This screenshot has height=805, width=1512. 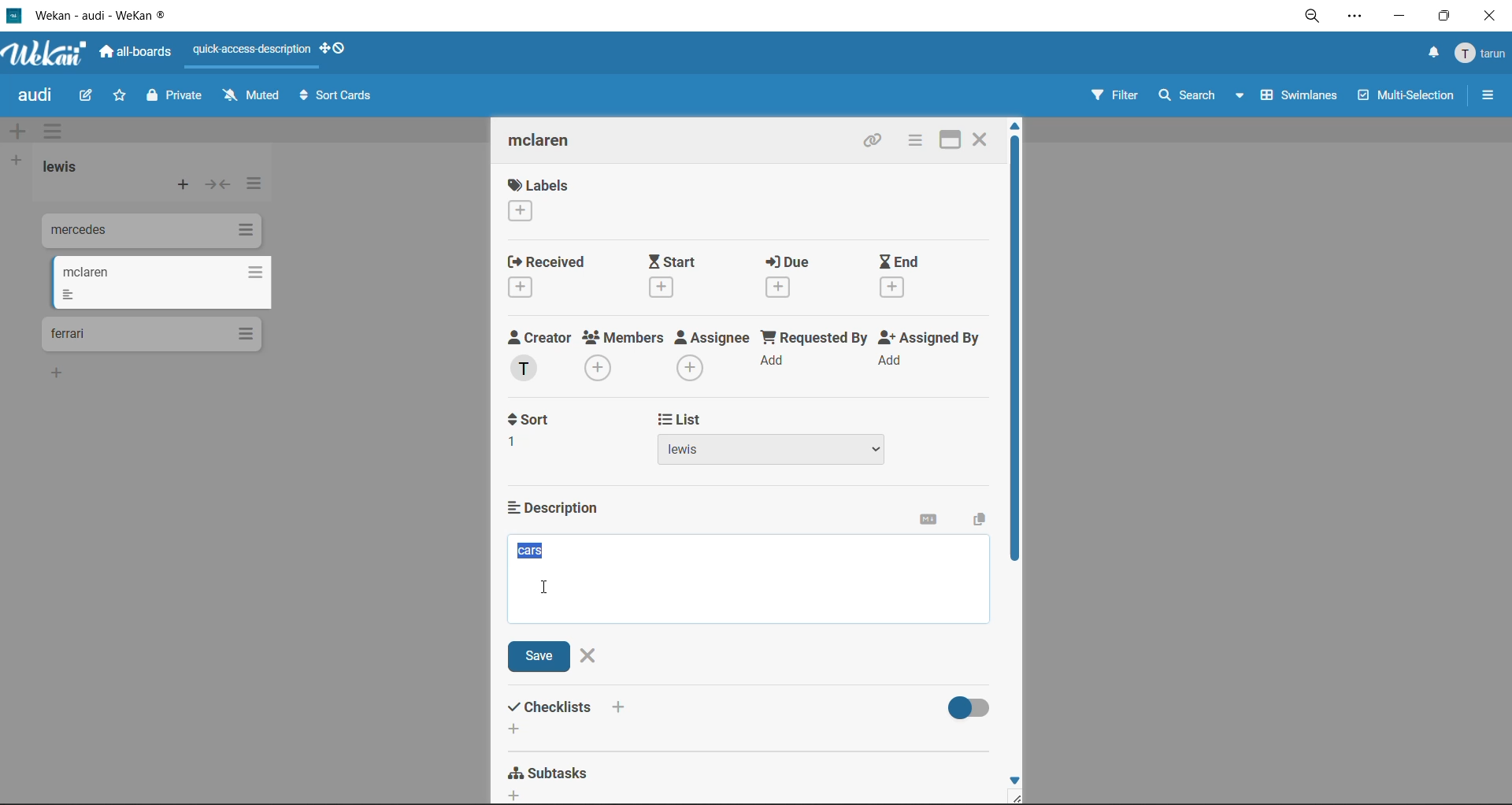 I want to click on selected description, so click(x=533, y=551).